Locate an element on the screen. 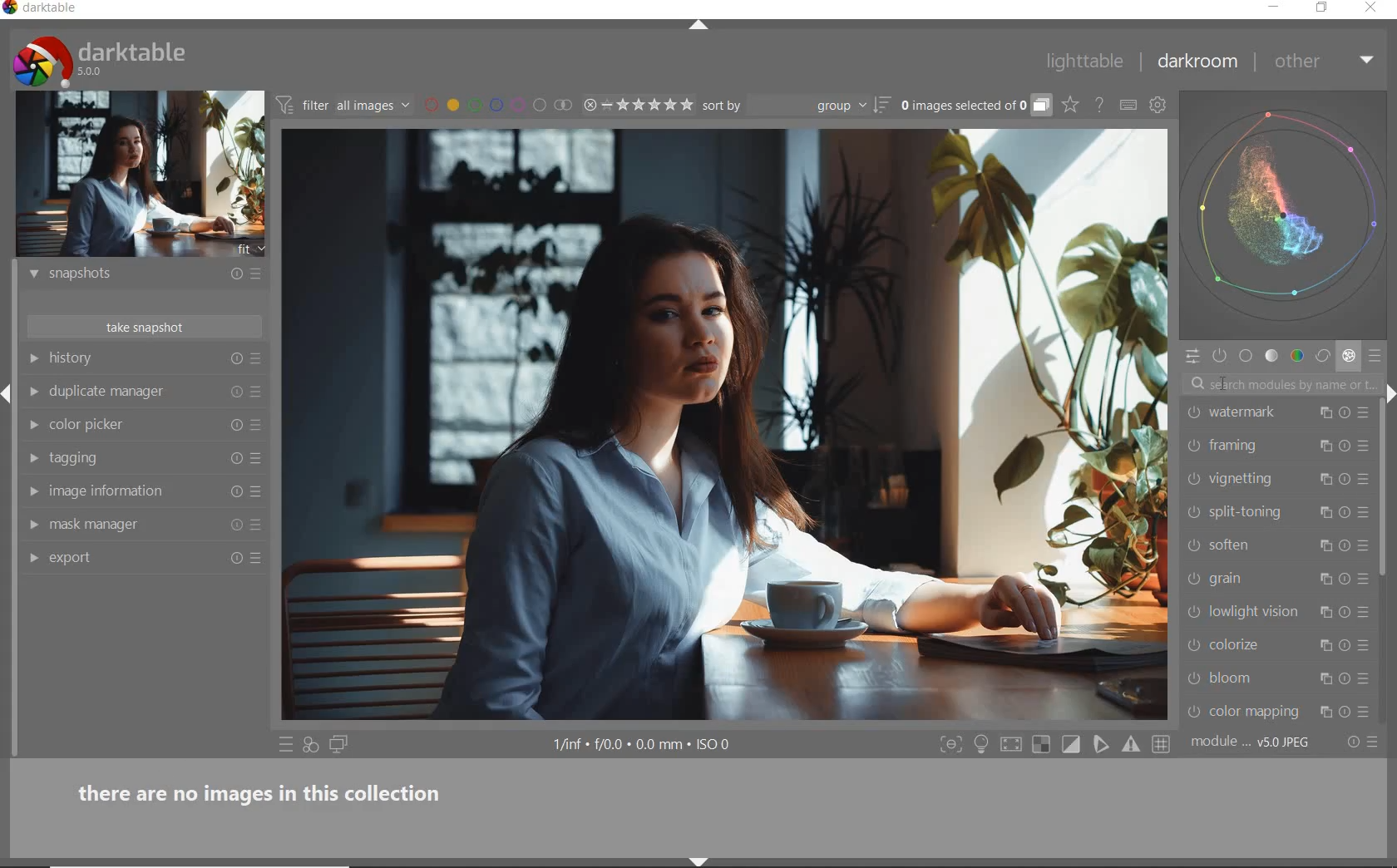   is located at coordinates (1345, 448).